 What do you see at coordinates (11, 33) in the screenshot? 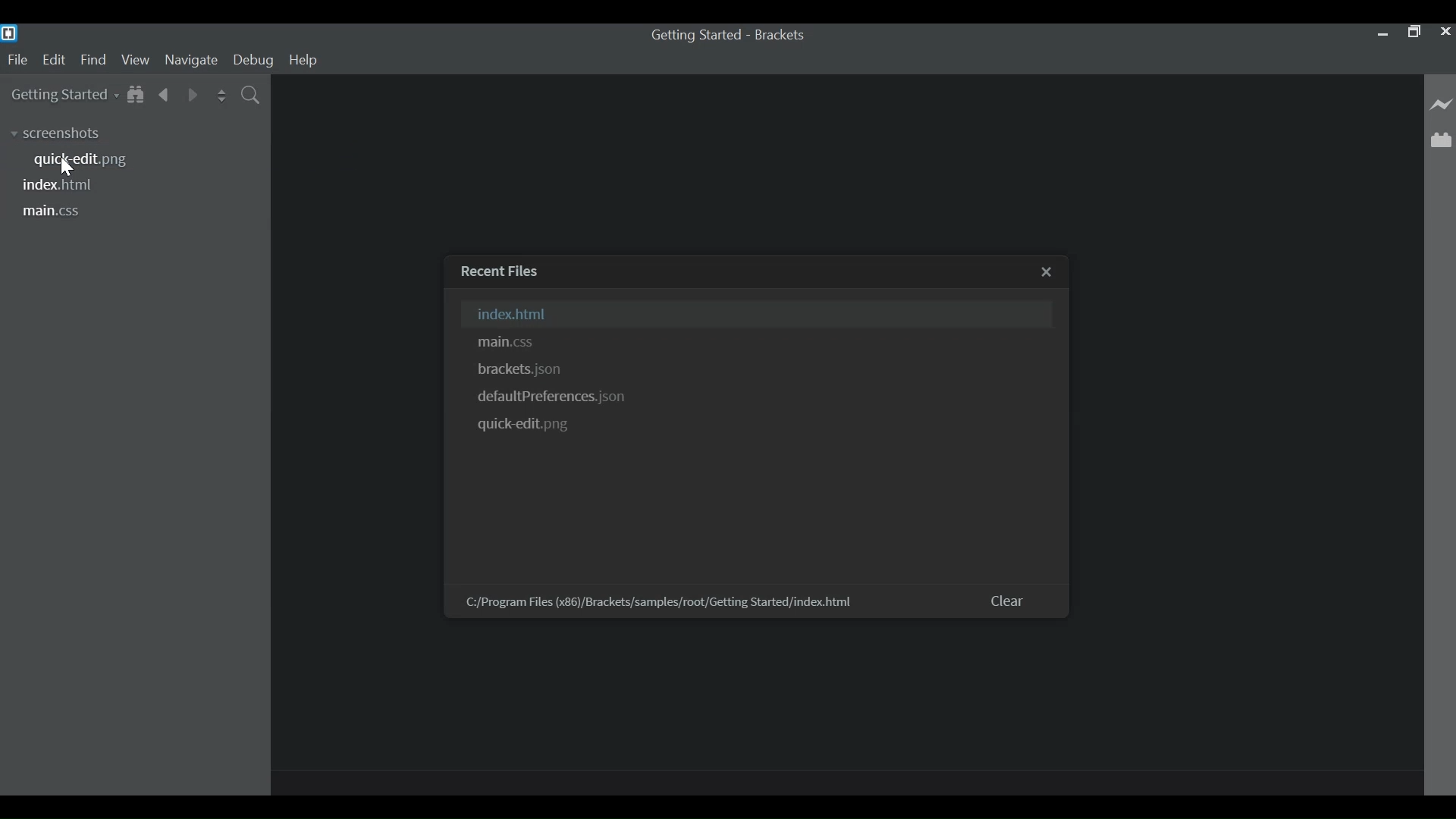
I see `Bracket Desktop Icon` at bounding box center [11, 33].